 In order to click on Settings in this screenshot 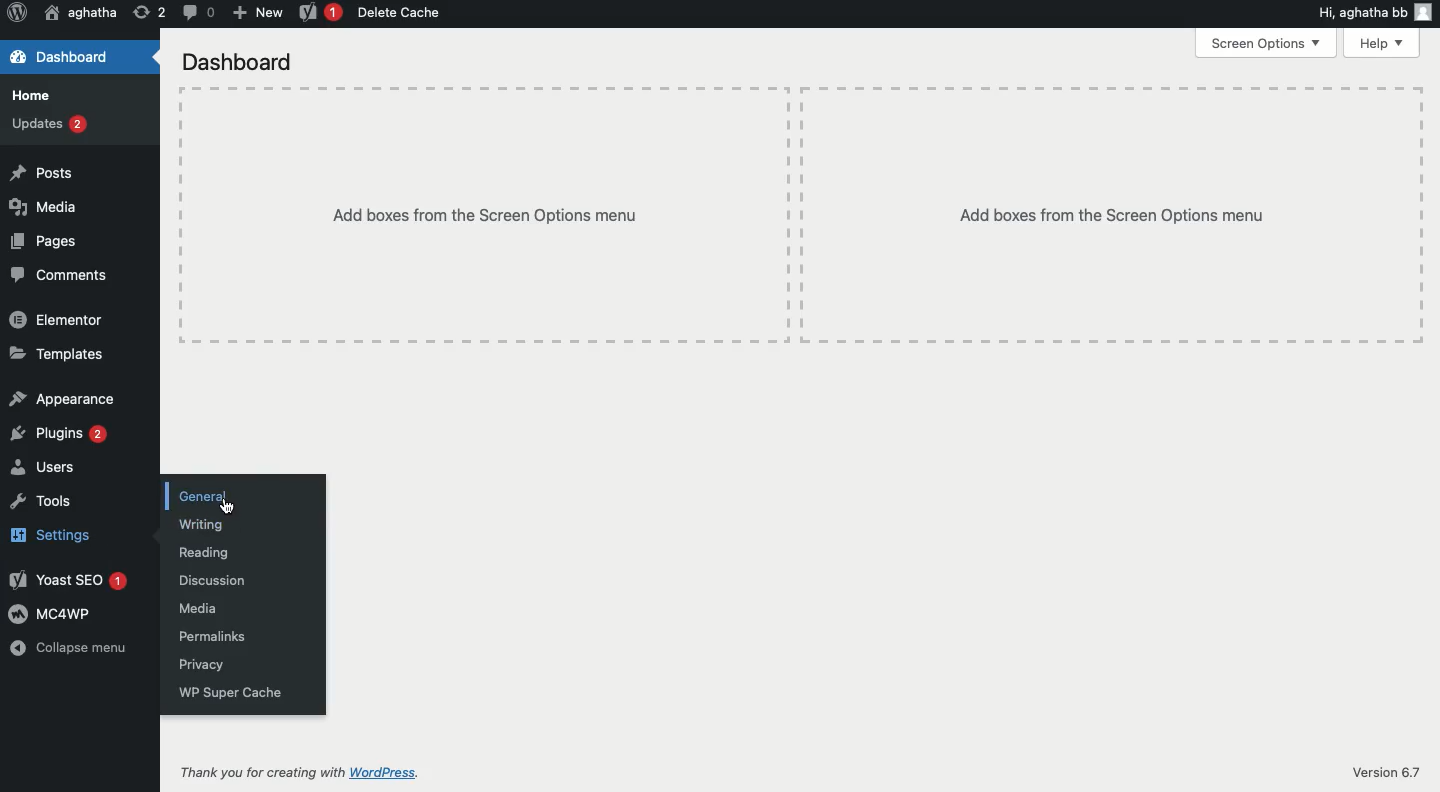, I will do `click(57, 539)`.